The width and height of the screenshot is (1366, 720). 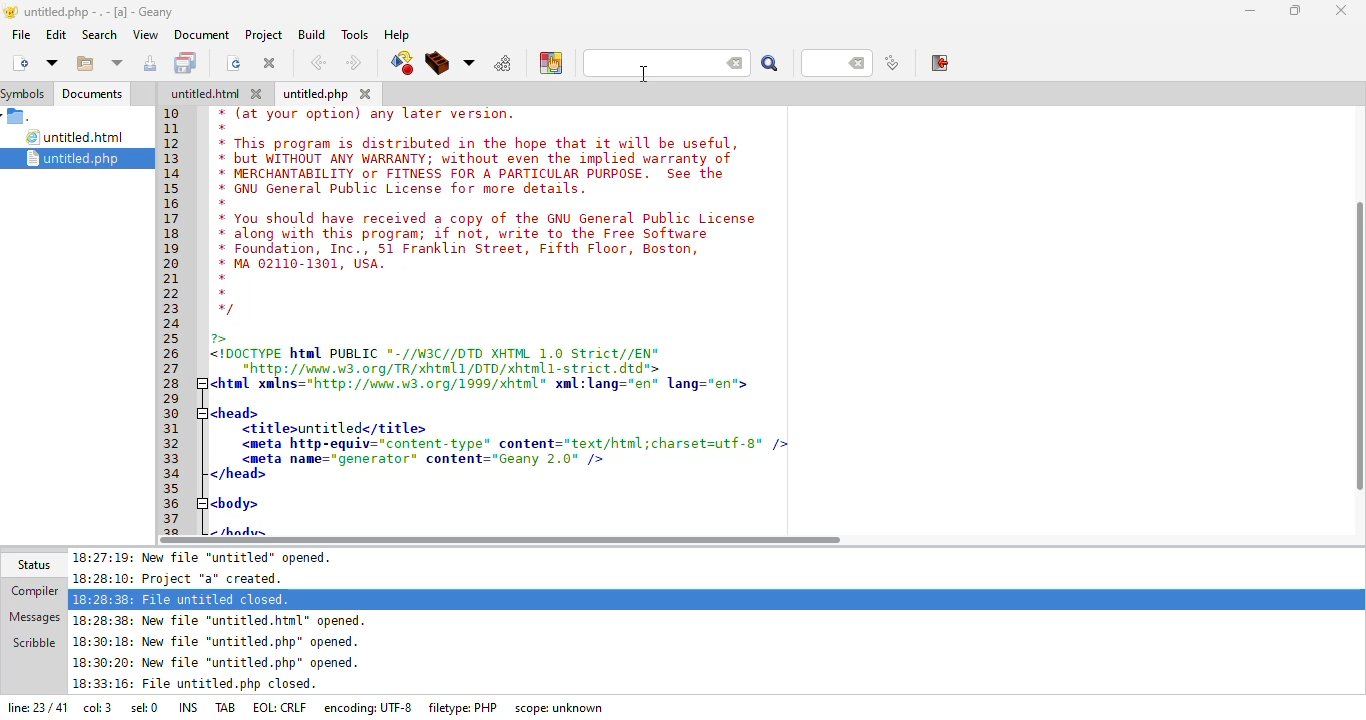 What do you see at coordinates (210, 557) in the screenshot?
I see `18:27:19: New file "untitled" opened.` at bounding box center [210, 557].